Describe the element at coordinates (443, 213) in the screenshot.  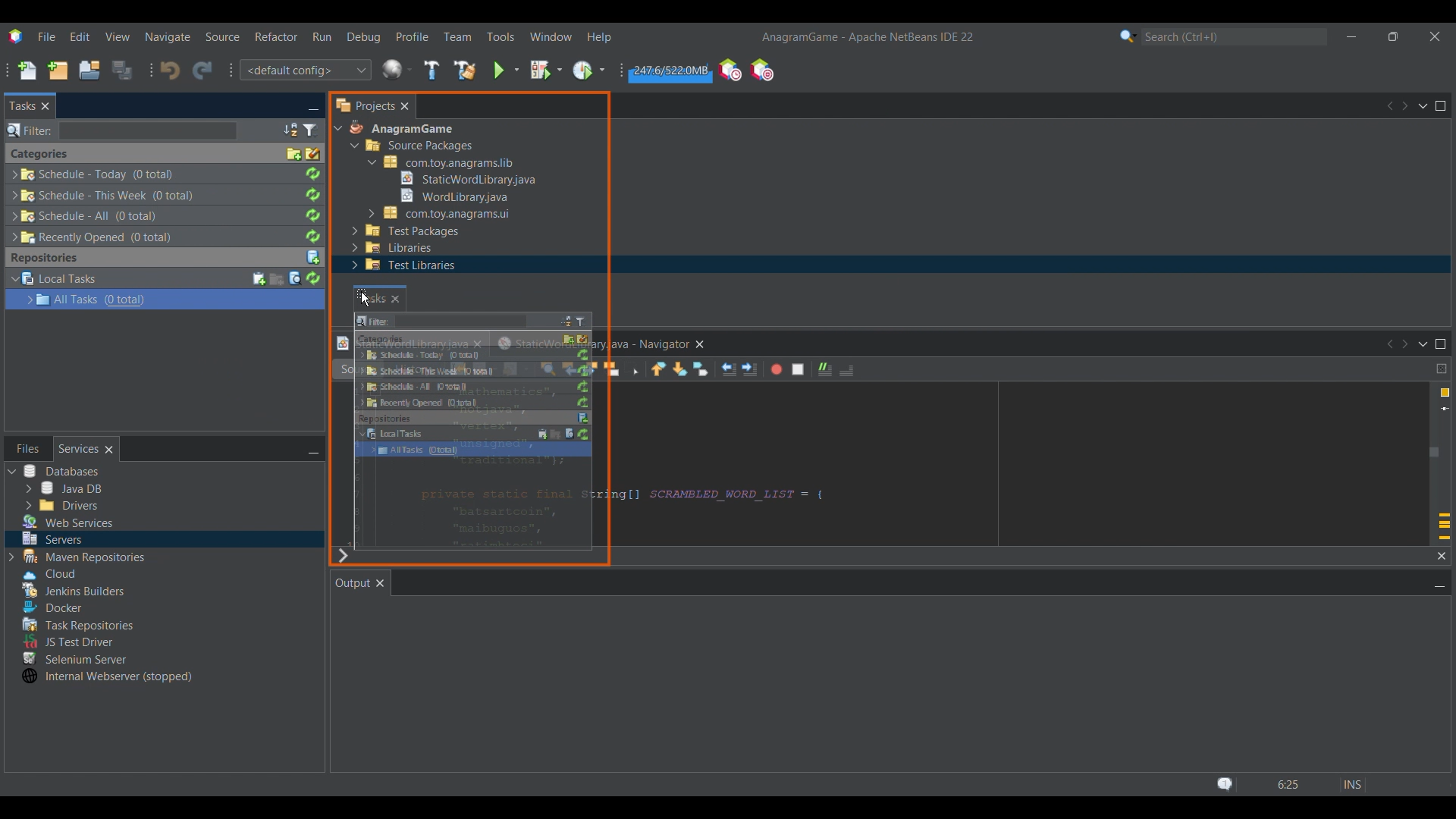
I see `` at that location.